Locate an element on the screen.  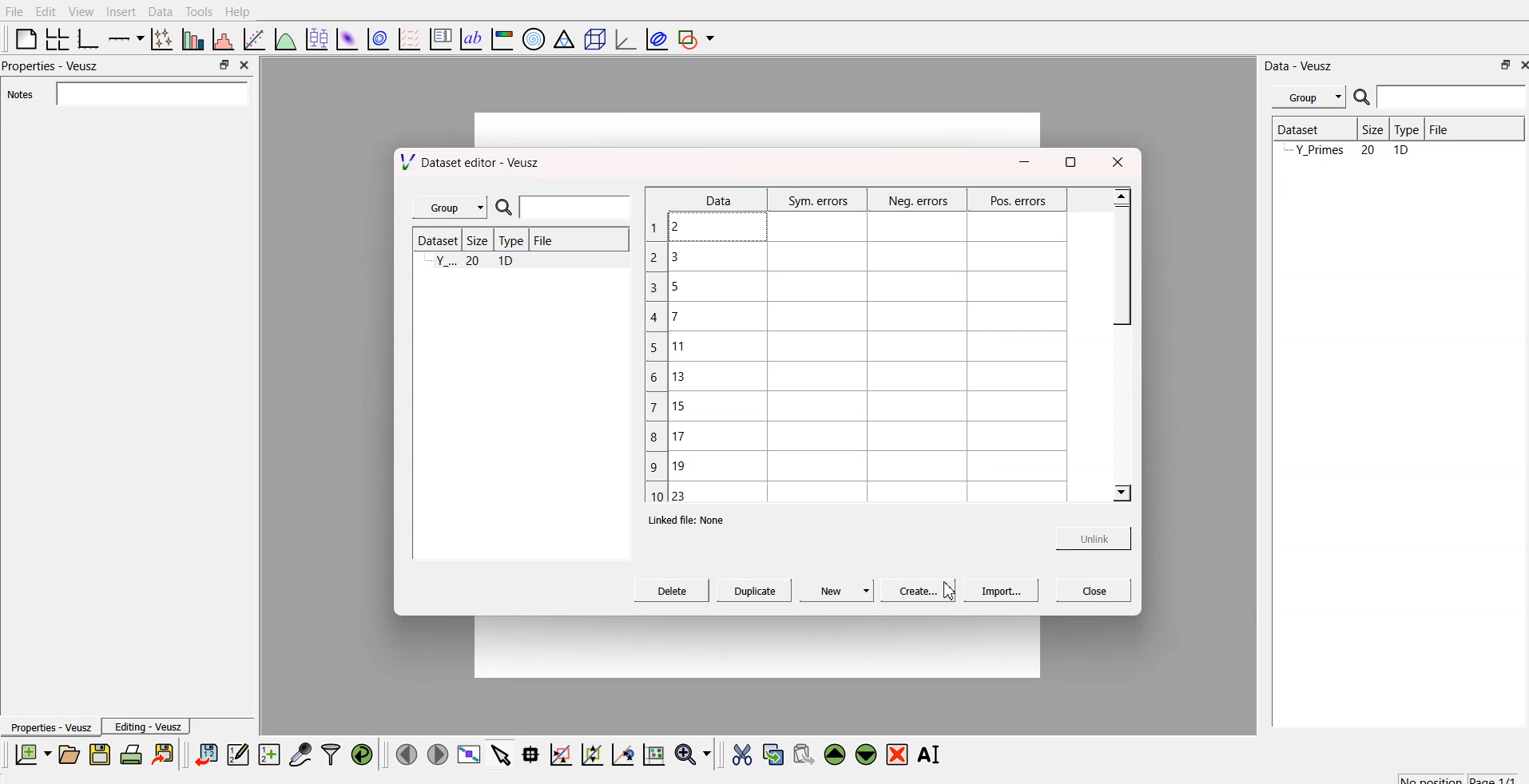
Notes is located at coordinates (18, 95).